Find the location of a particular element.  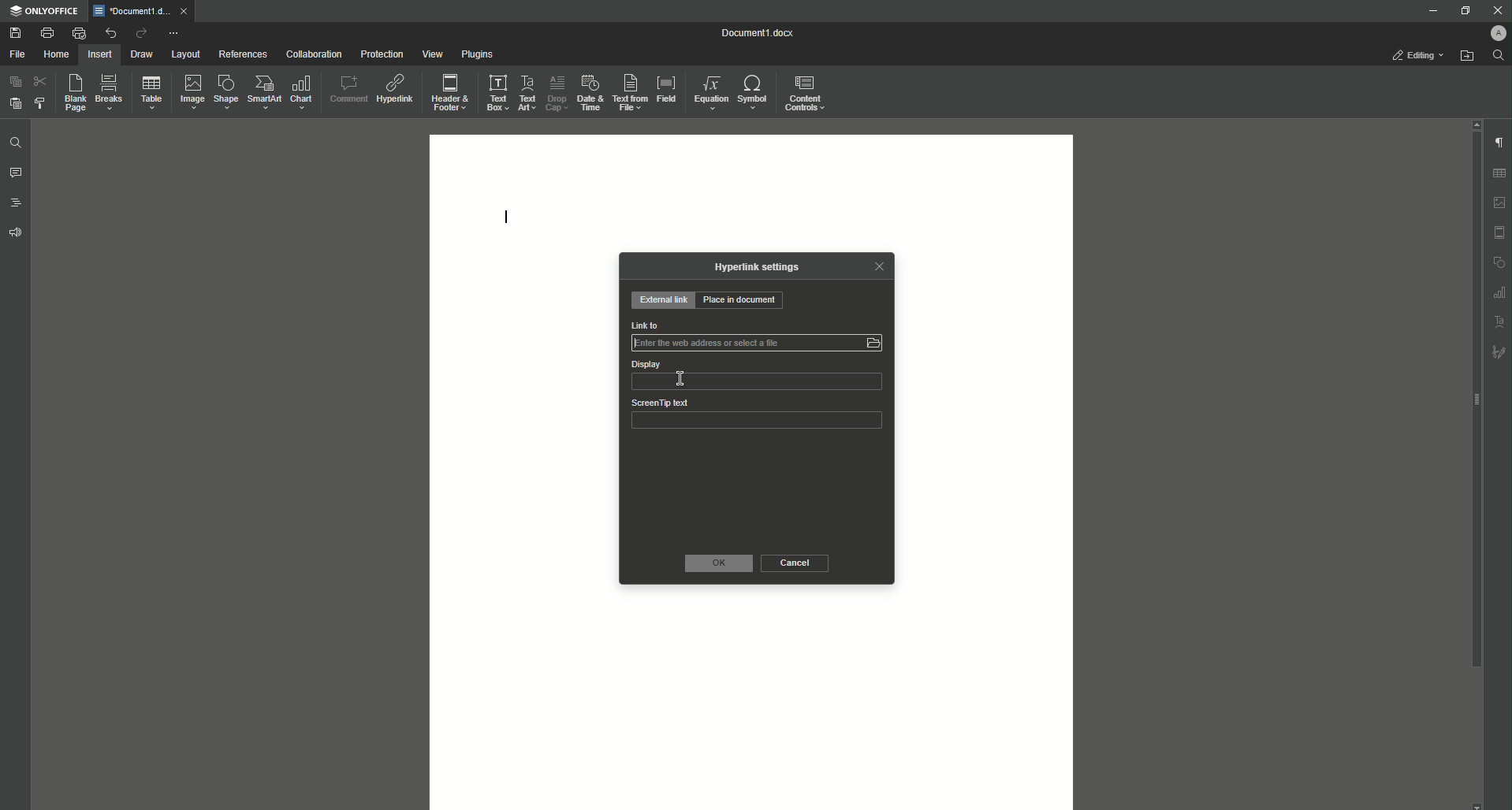

External Link is located at coordinates (663, 299).